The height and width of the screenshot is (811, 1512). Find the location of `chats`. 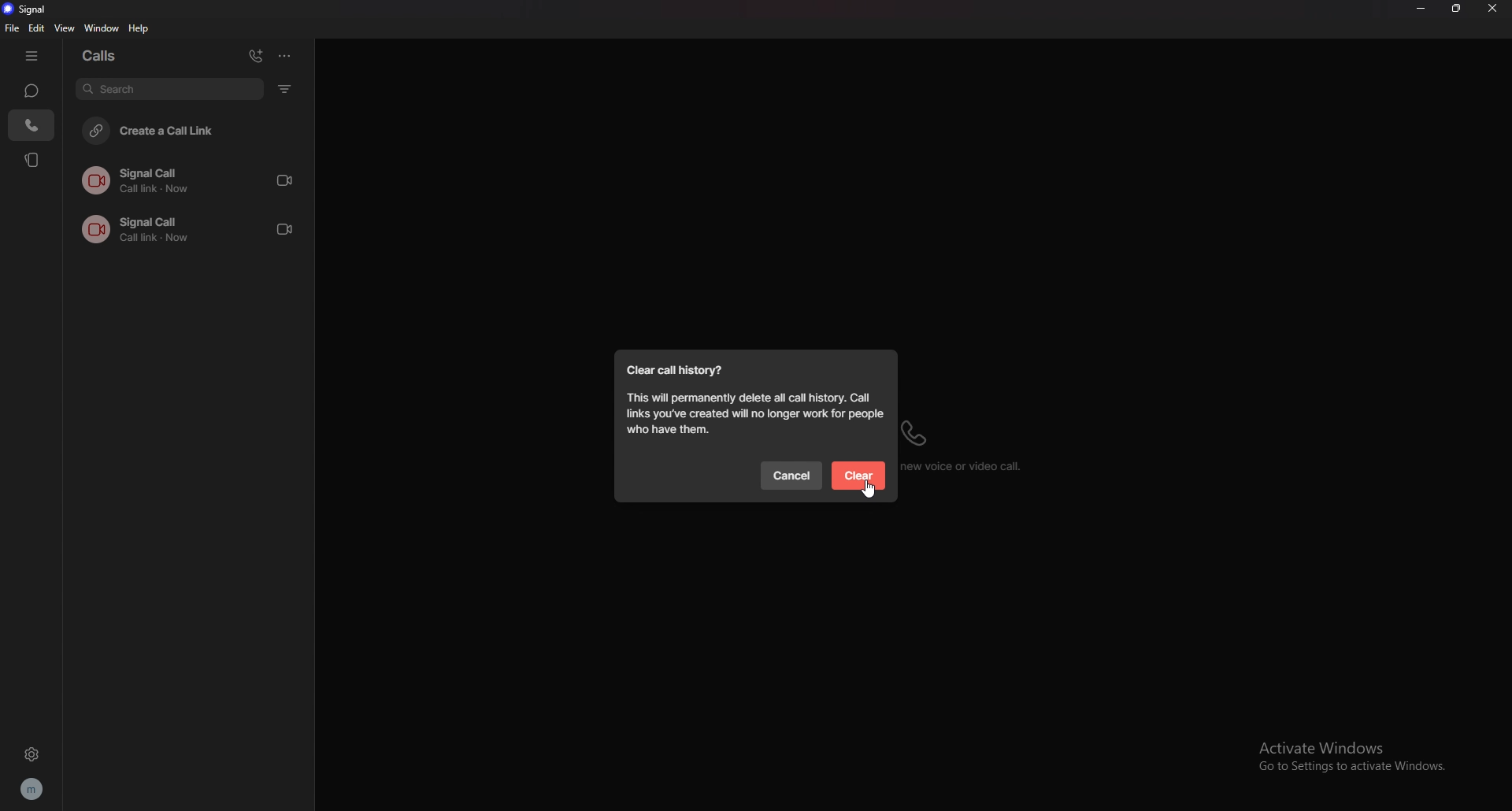

chats is located at coordinates (32, 91).